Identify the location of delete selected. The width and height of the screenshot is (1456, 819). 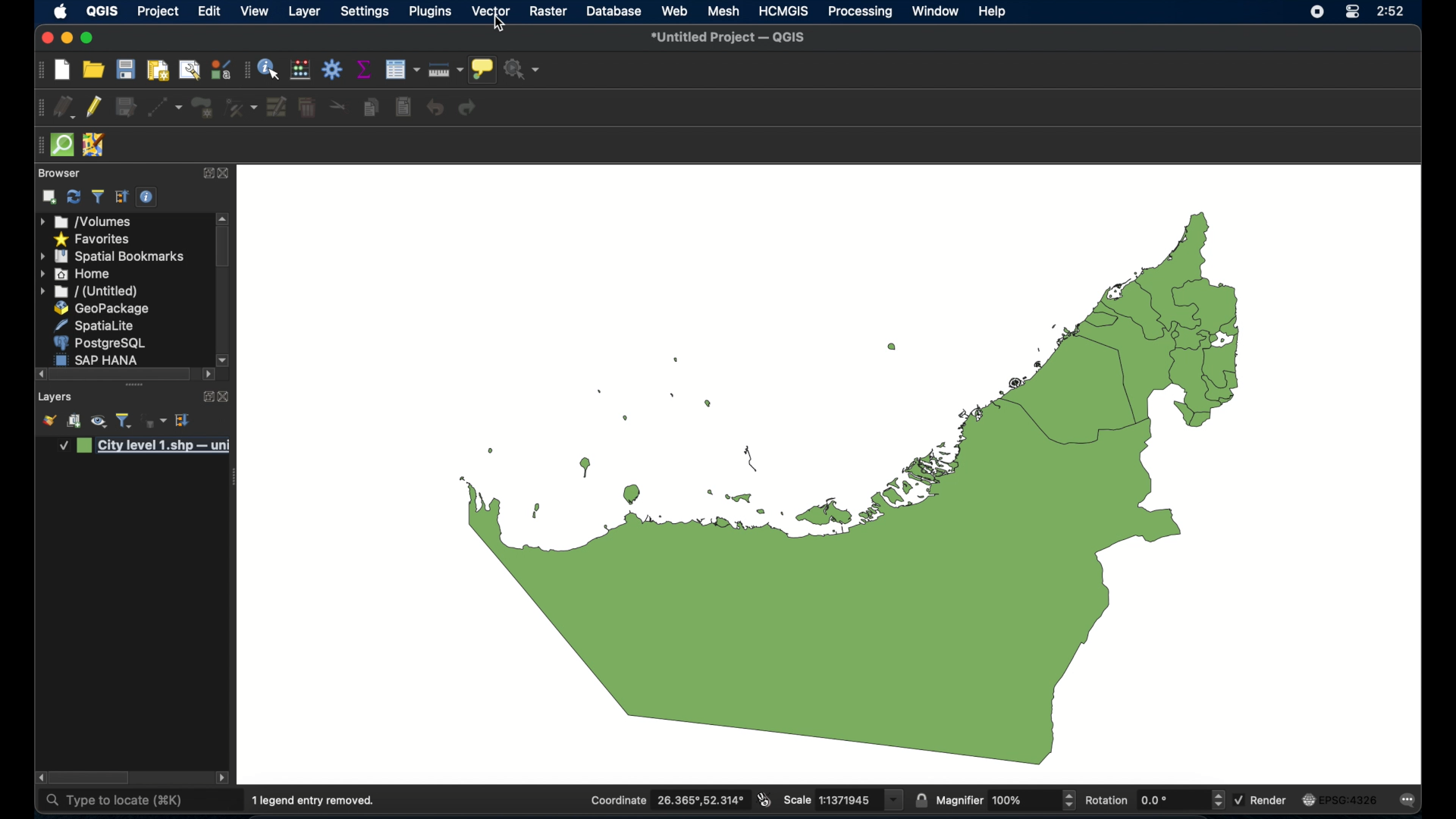
(306, 108).